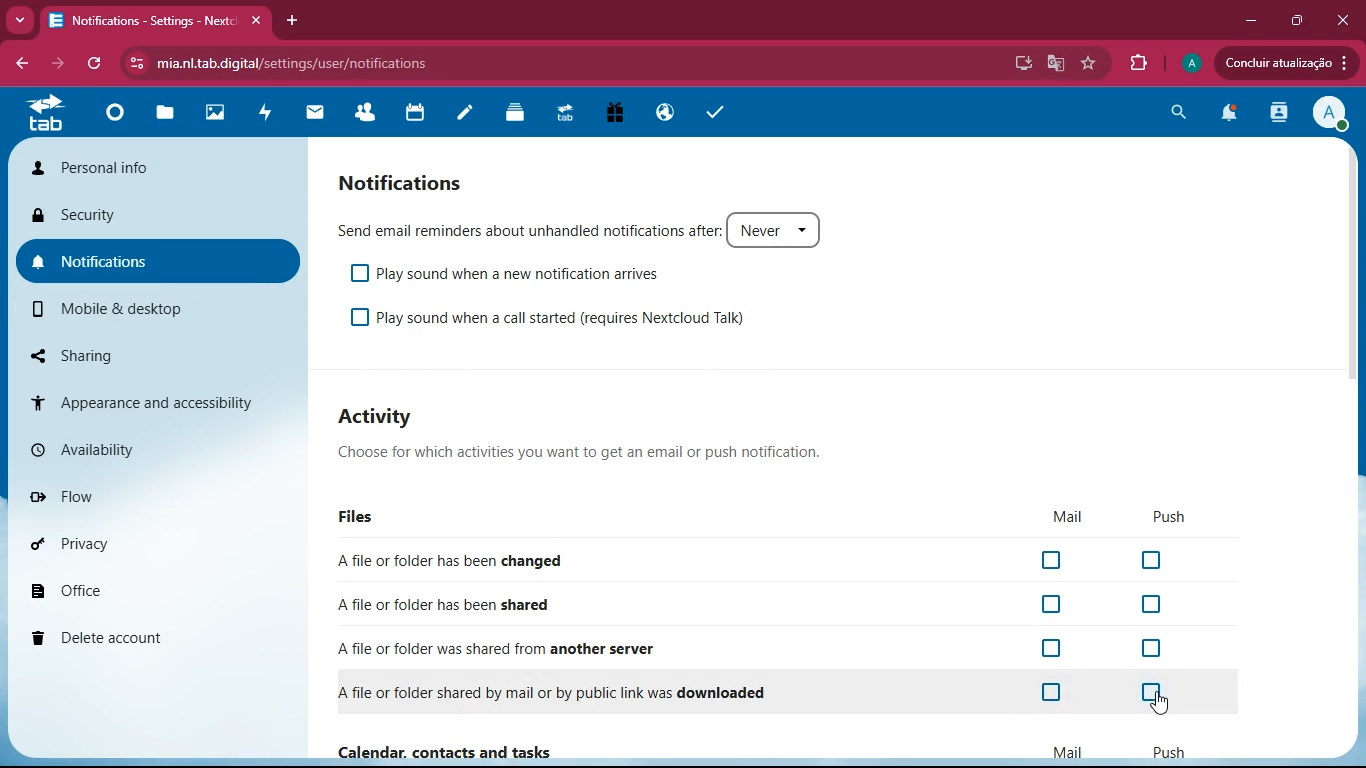 This screenshot has height=768, width=1366. I want to click on profile, so click(1191, 65).